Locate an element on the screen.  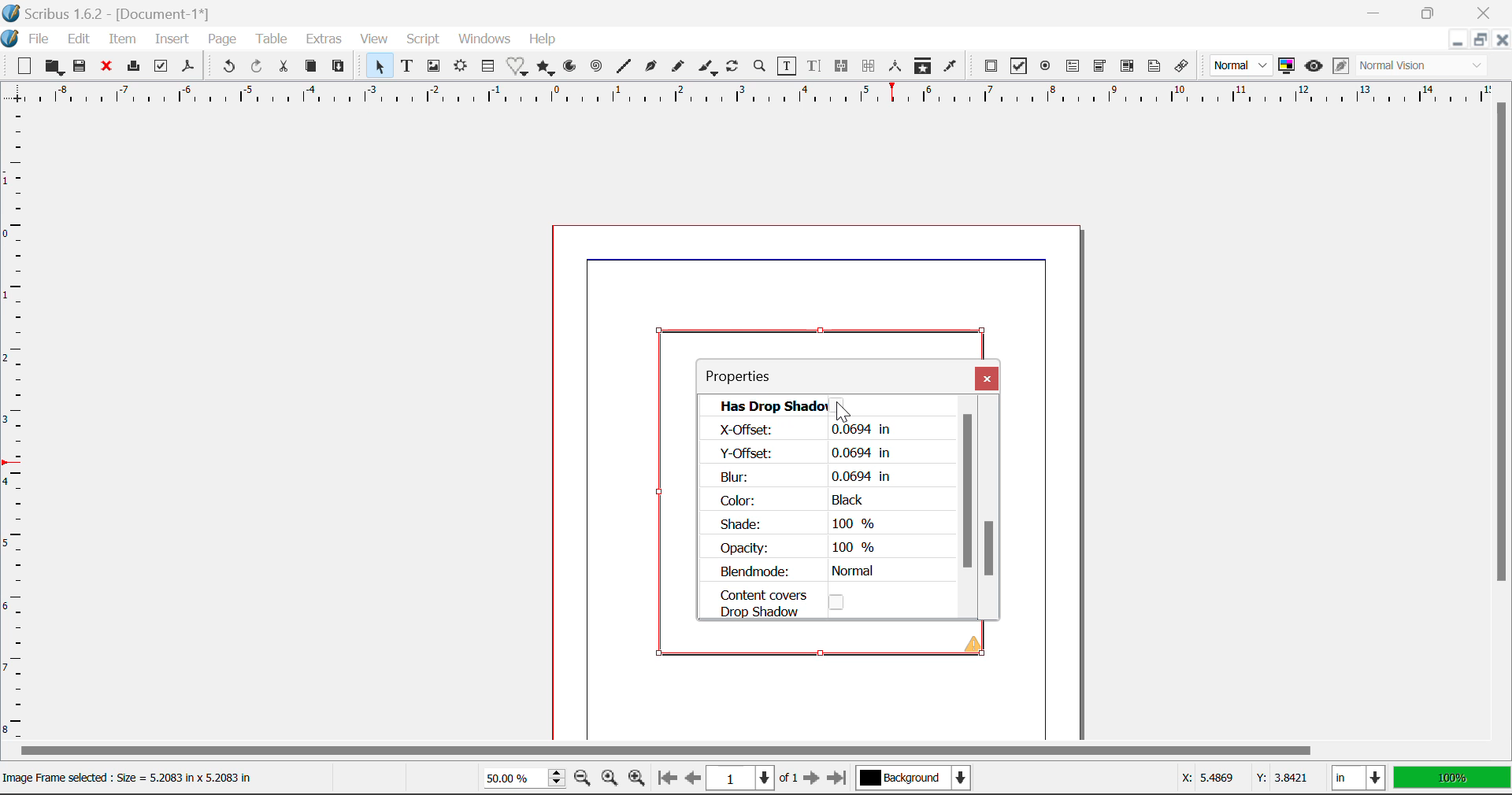
Y: 3.8421 is located at coordinates (1282, 779).